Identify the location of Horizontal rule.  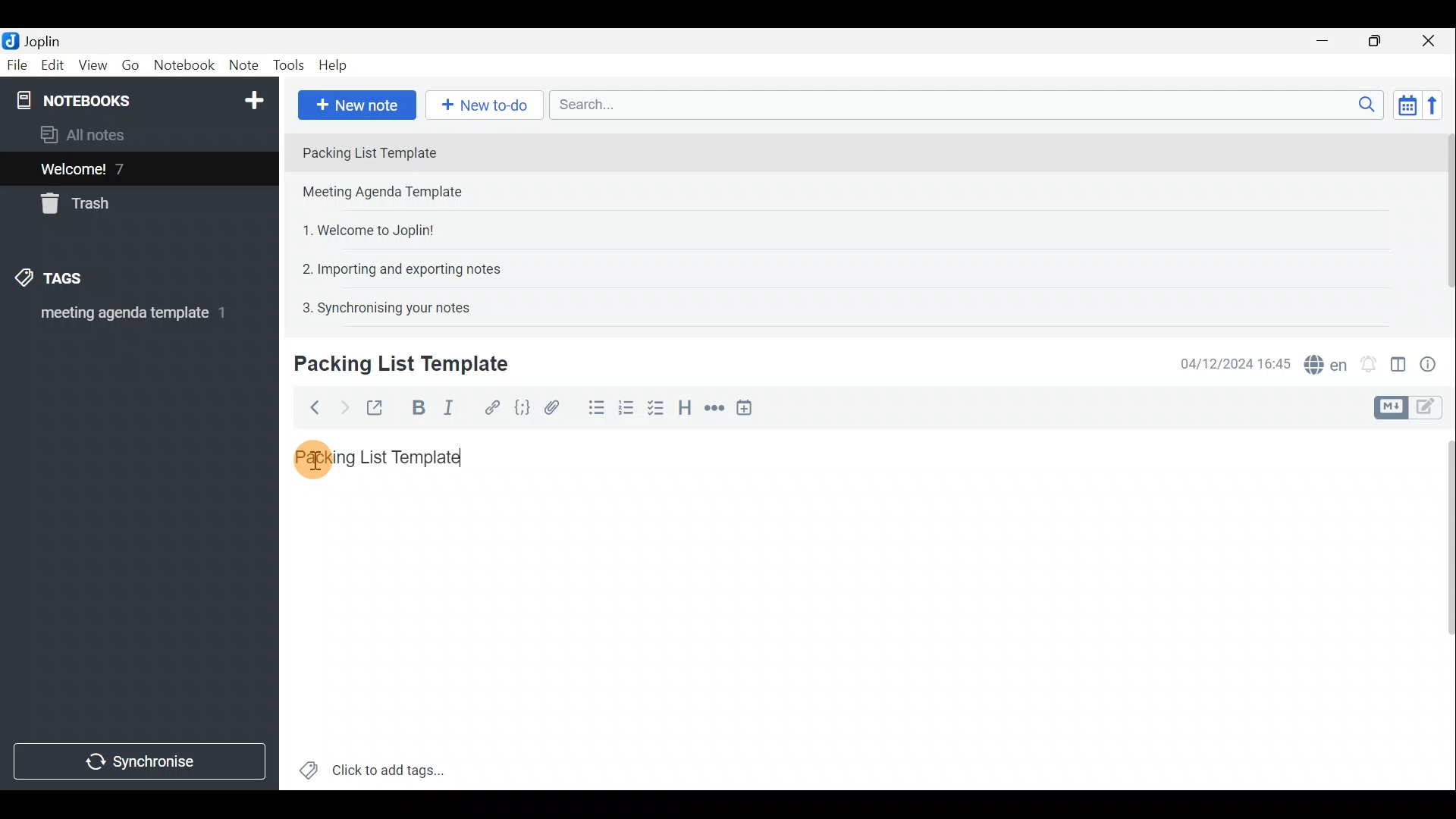
(712, 408).